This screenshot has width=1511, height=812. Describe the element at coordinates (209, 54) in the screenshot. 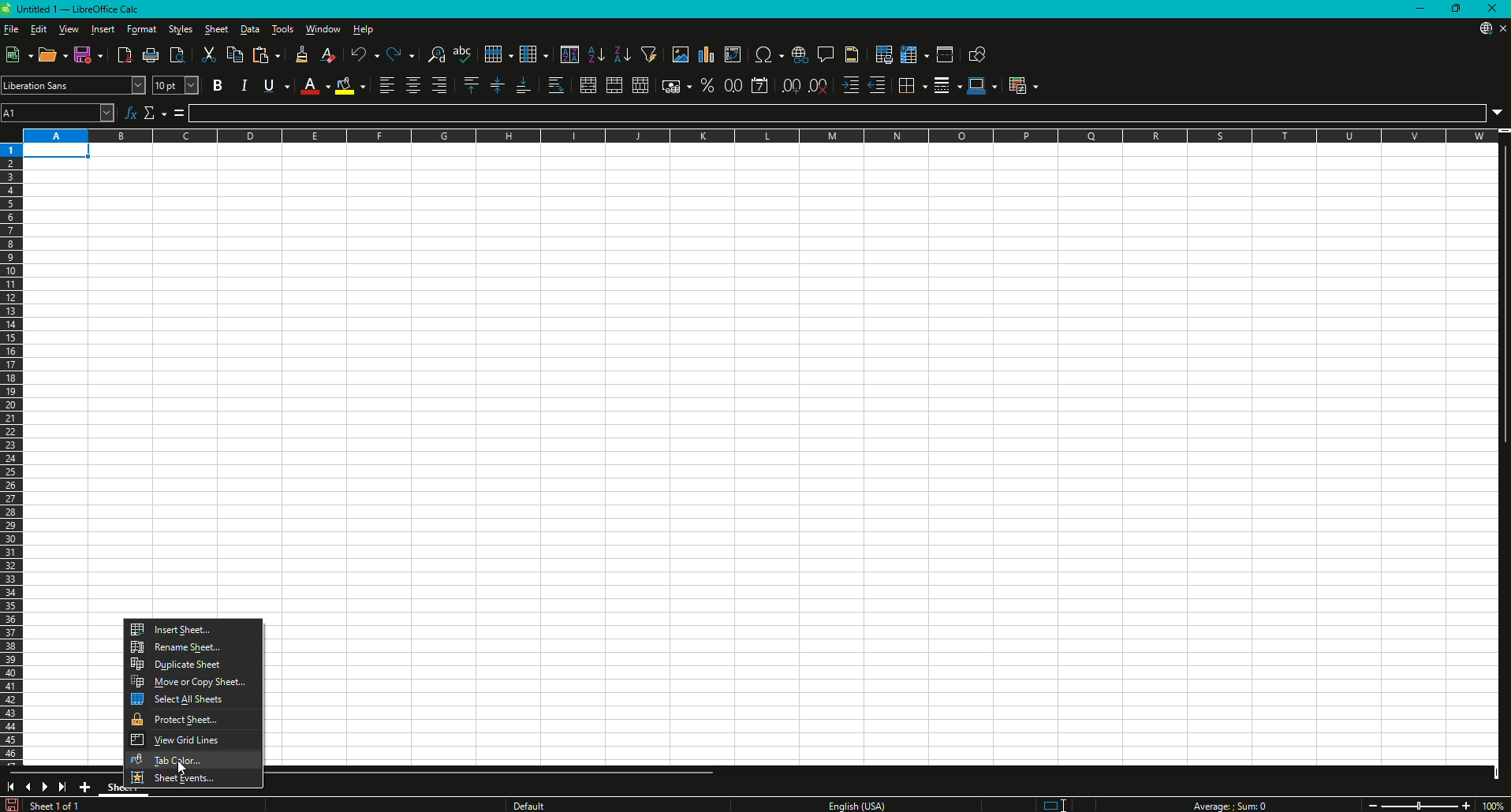

I see `Cut` at that location.